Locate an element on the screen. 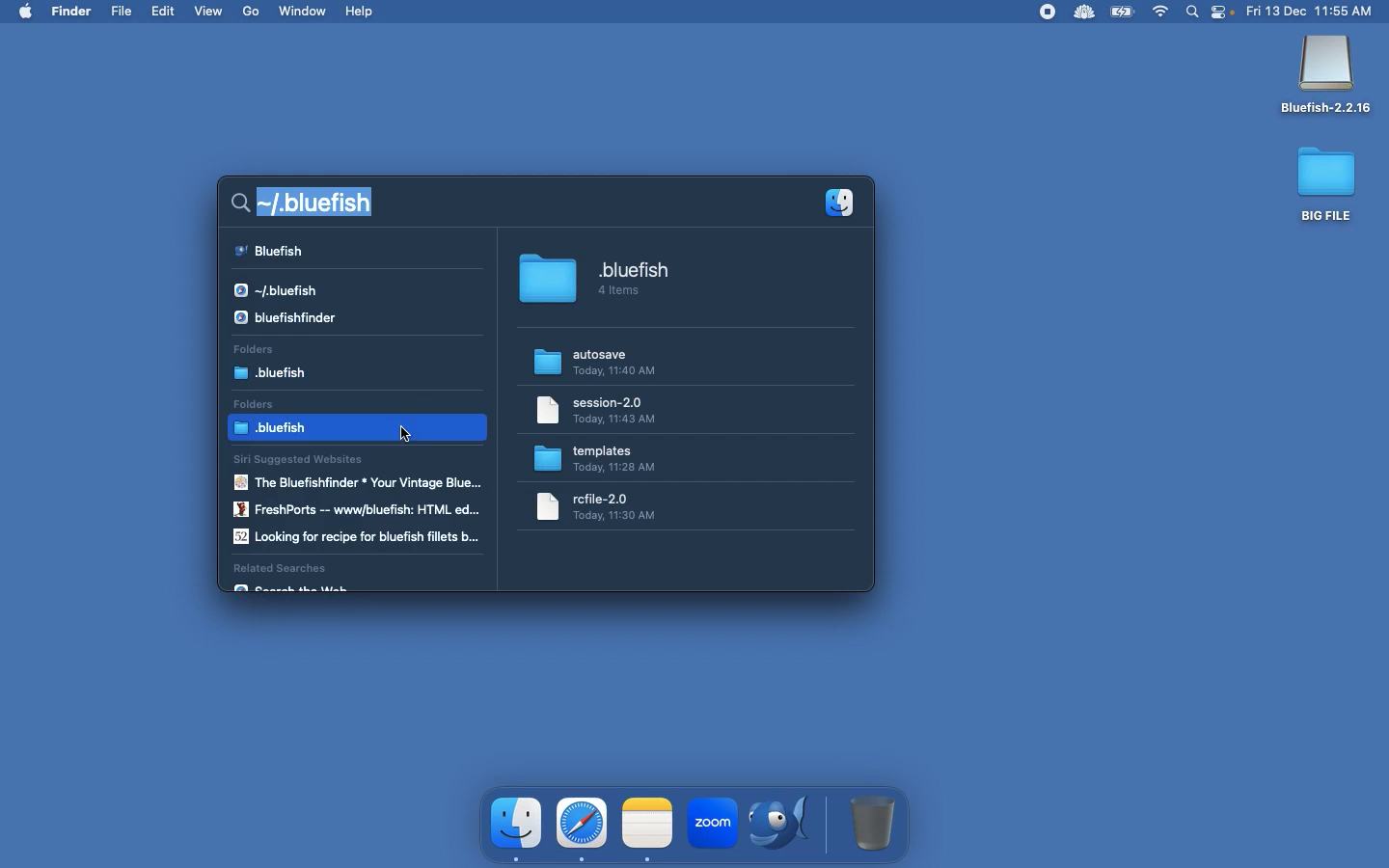 This screenshot has width=1389, height=868. Edit is located at coordinates (165, 11).